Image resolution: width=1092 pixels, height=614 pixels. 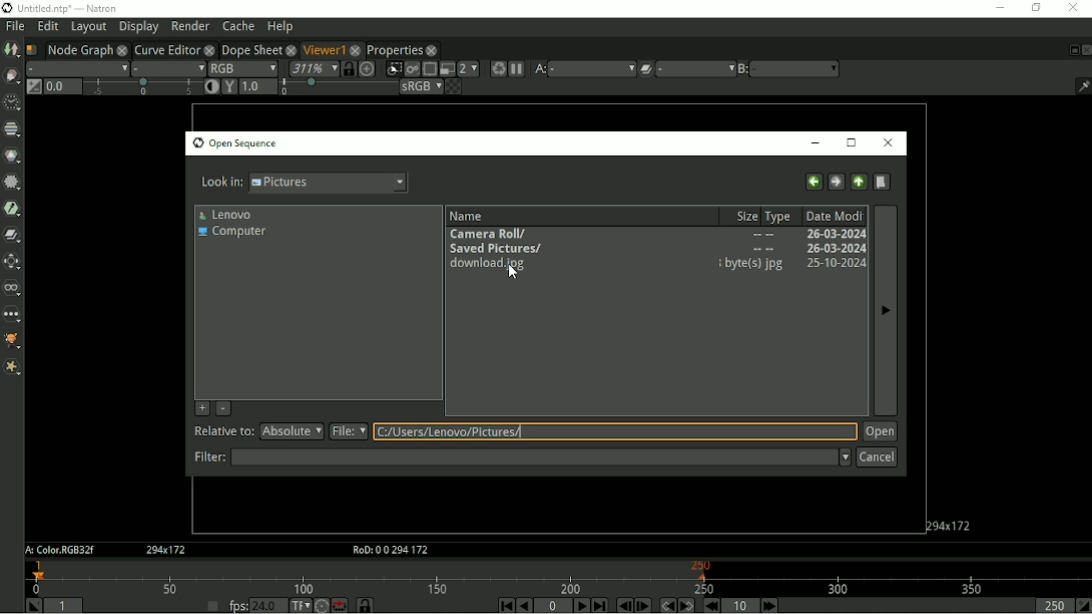 What do you see at coordinates (12, 155) in the screenshot?
I see `Color` at bounding box center [12, 155].